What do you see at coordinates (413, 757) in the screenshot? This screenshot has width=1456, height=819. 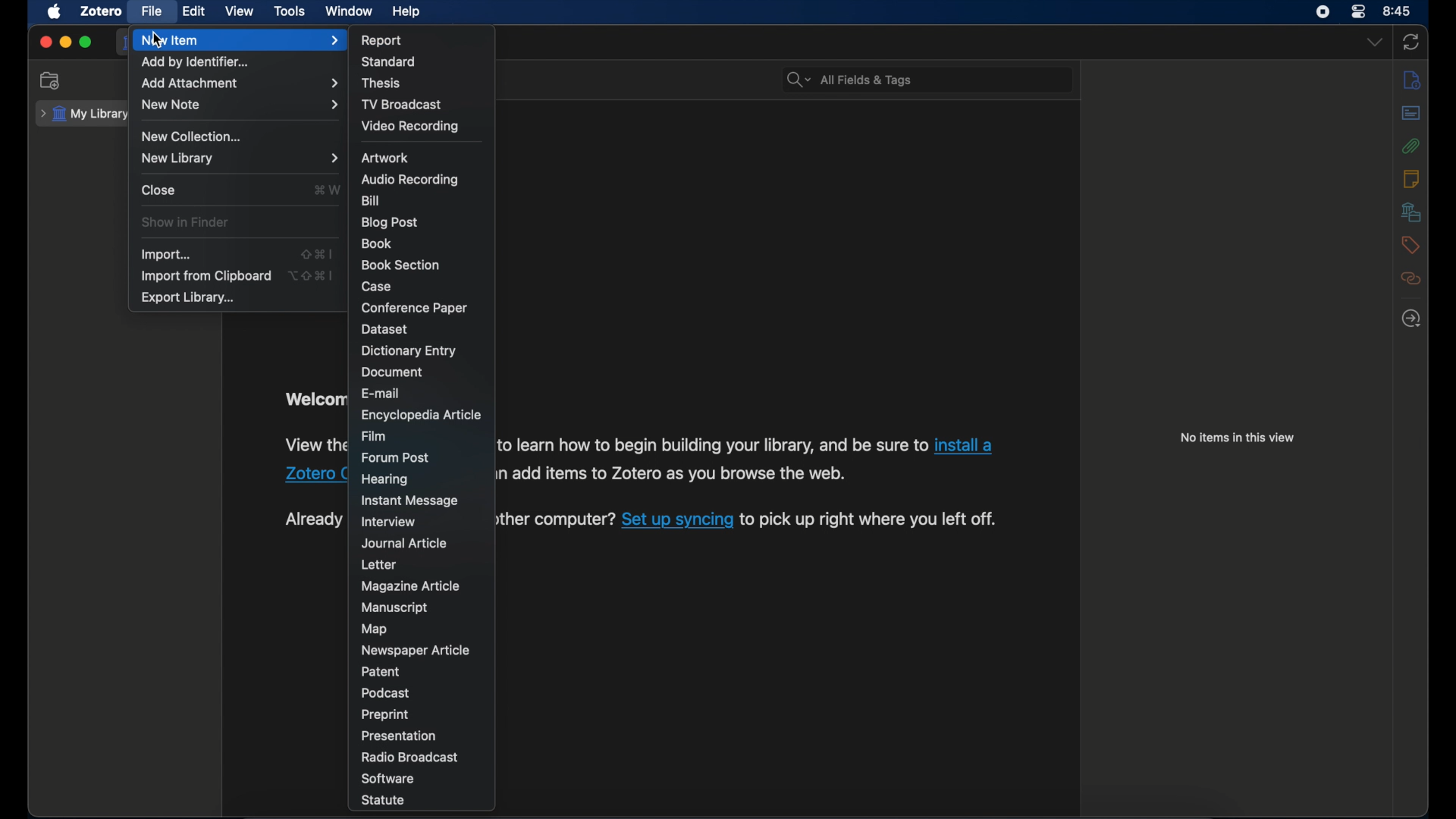 I see `radio broadcast` at bounding box center [413, 757].